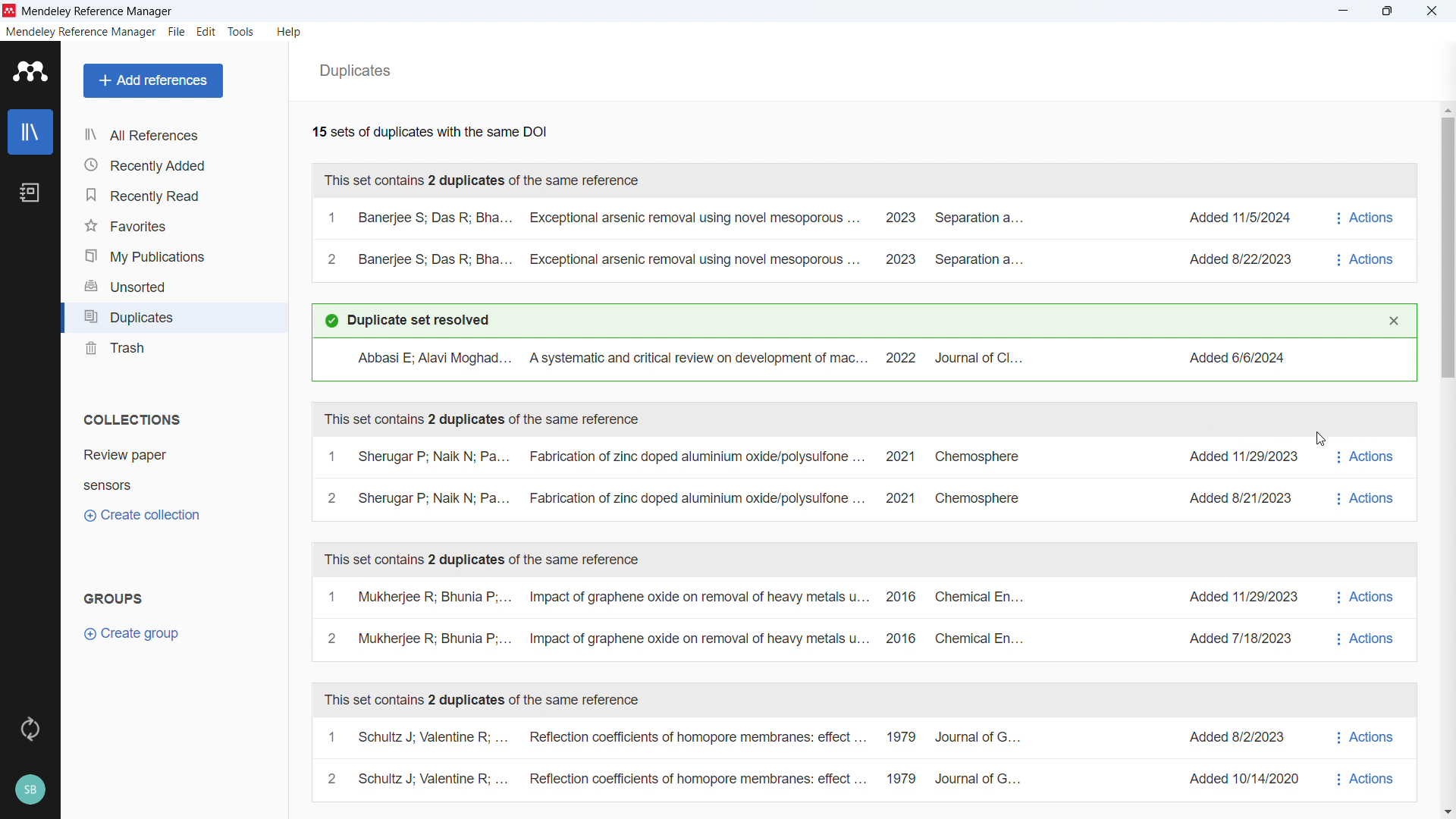 This screenshot has width=1456, height=819. I want to click on trash, so click(173, 347).